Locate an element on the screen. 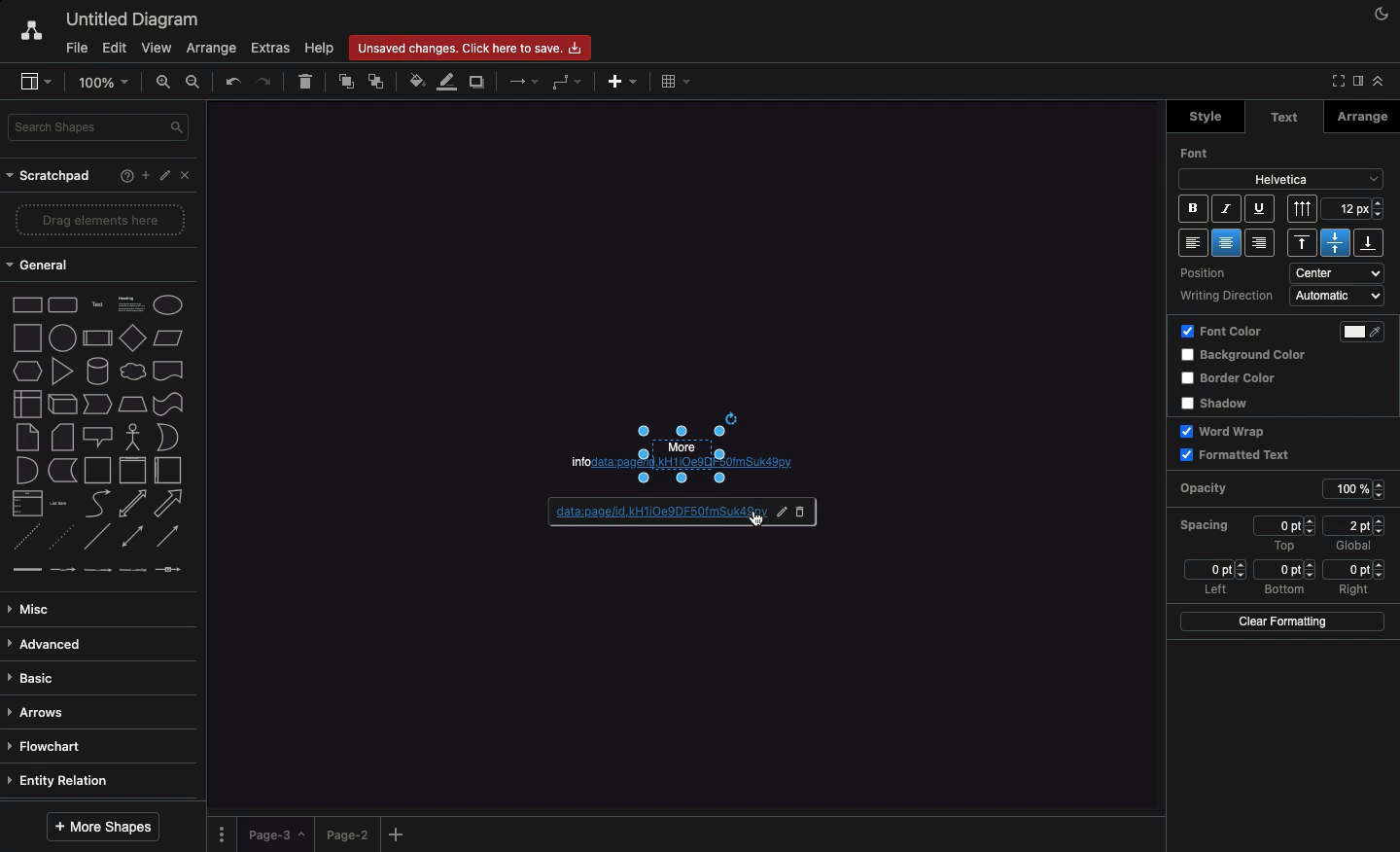 The height and width of the screenshot is (852, 1400). Line color is located at coordinates (444, 84).